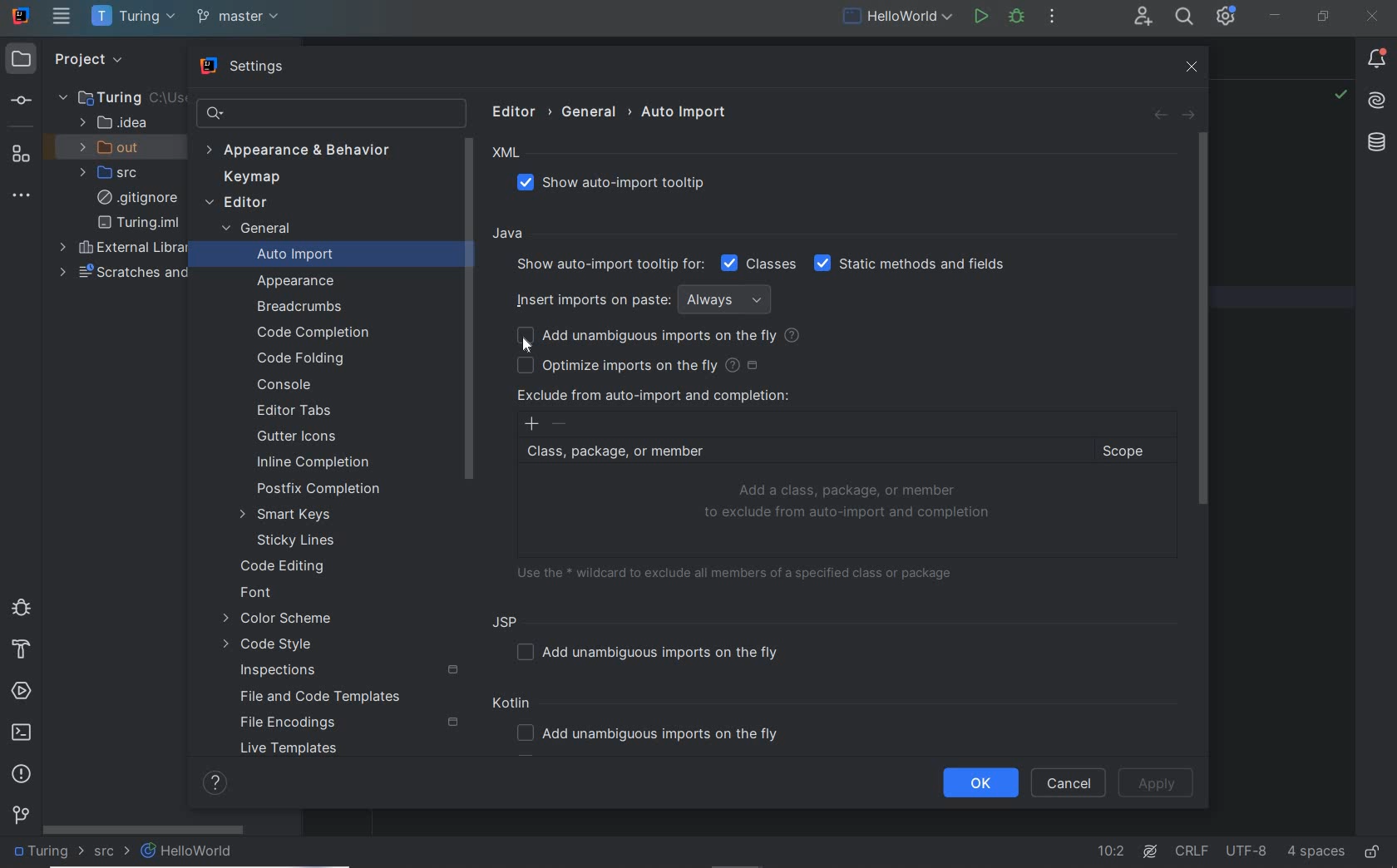 This screenshot has width=1397, height=868. I want to click on ADD UNAMBIGUOUS IMPORTS ON THE FLY, so click(655, 337).